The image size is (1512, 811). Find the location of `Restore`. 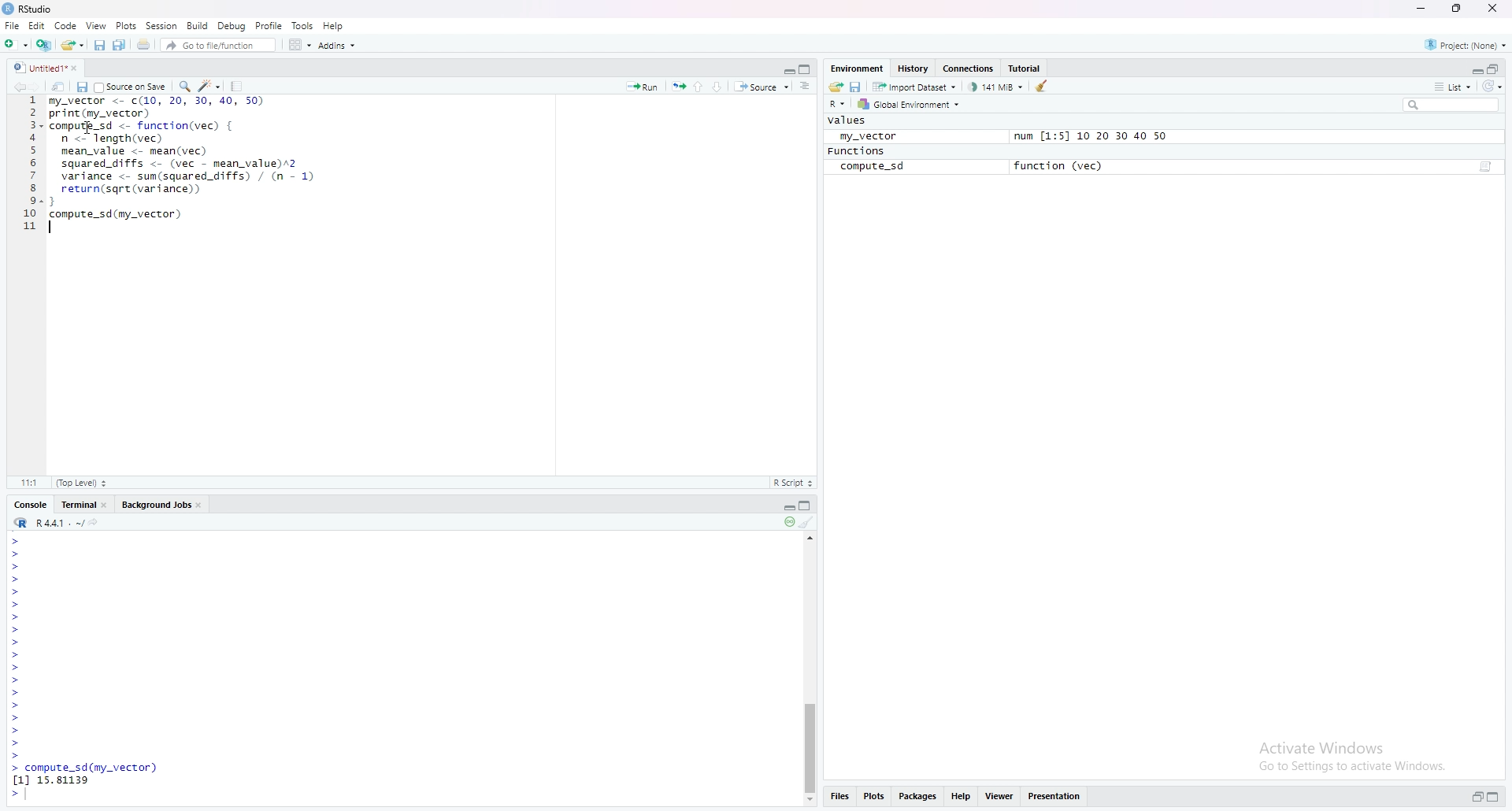

Restore is located at coordinates (1477, 797).